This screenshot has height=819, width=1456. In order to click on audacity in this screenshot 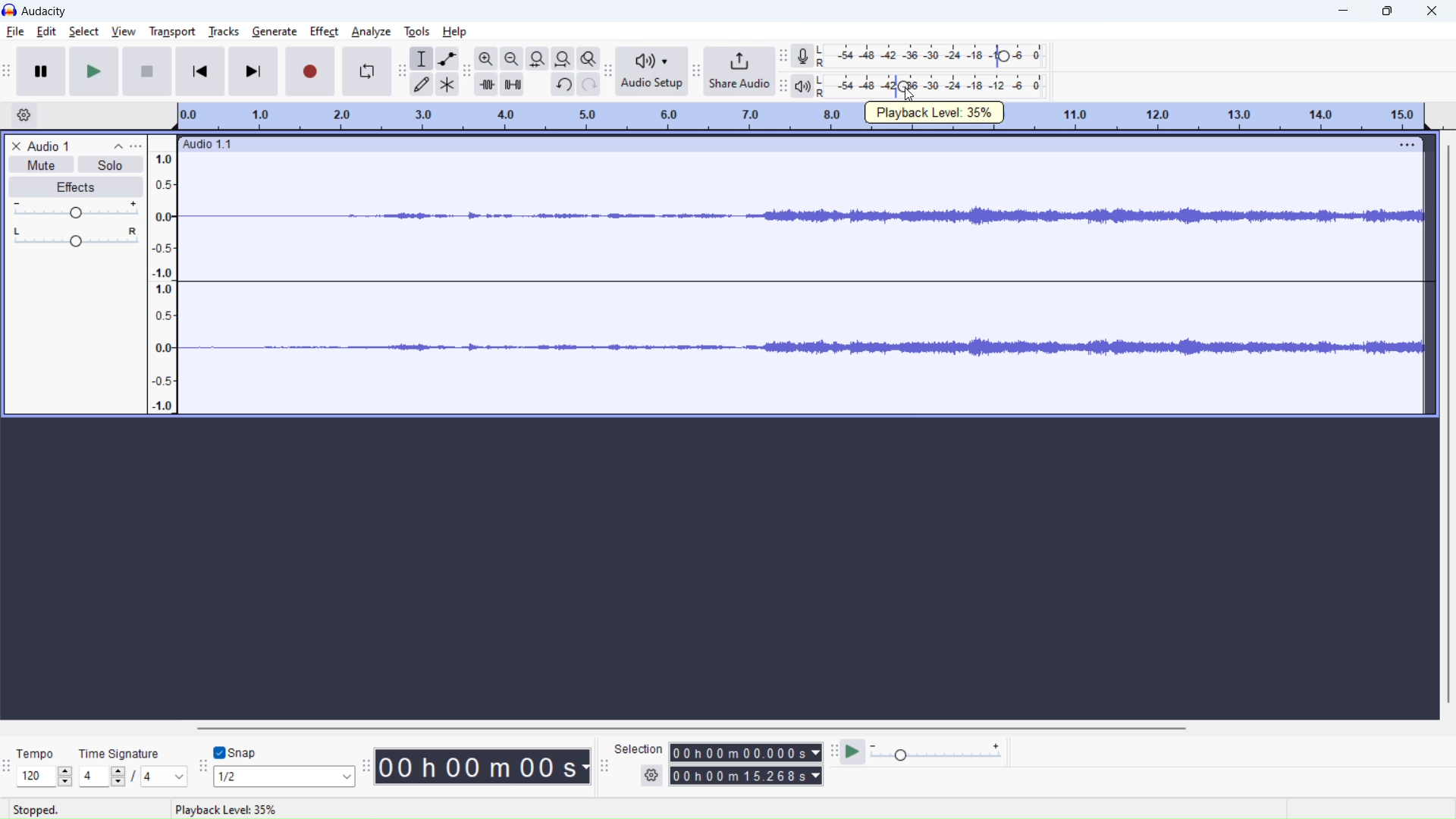, I will do `click(44, 11)`.